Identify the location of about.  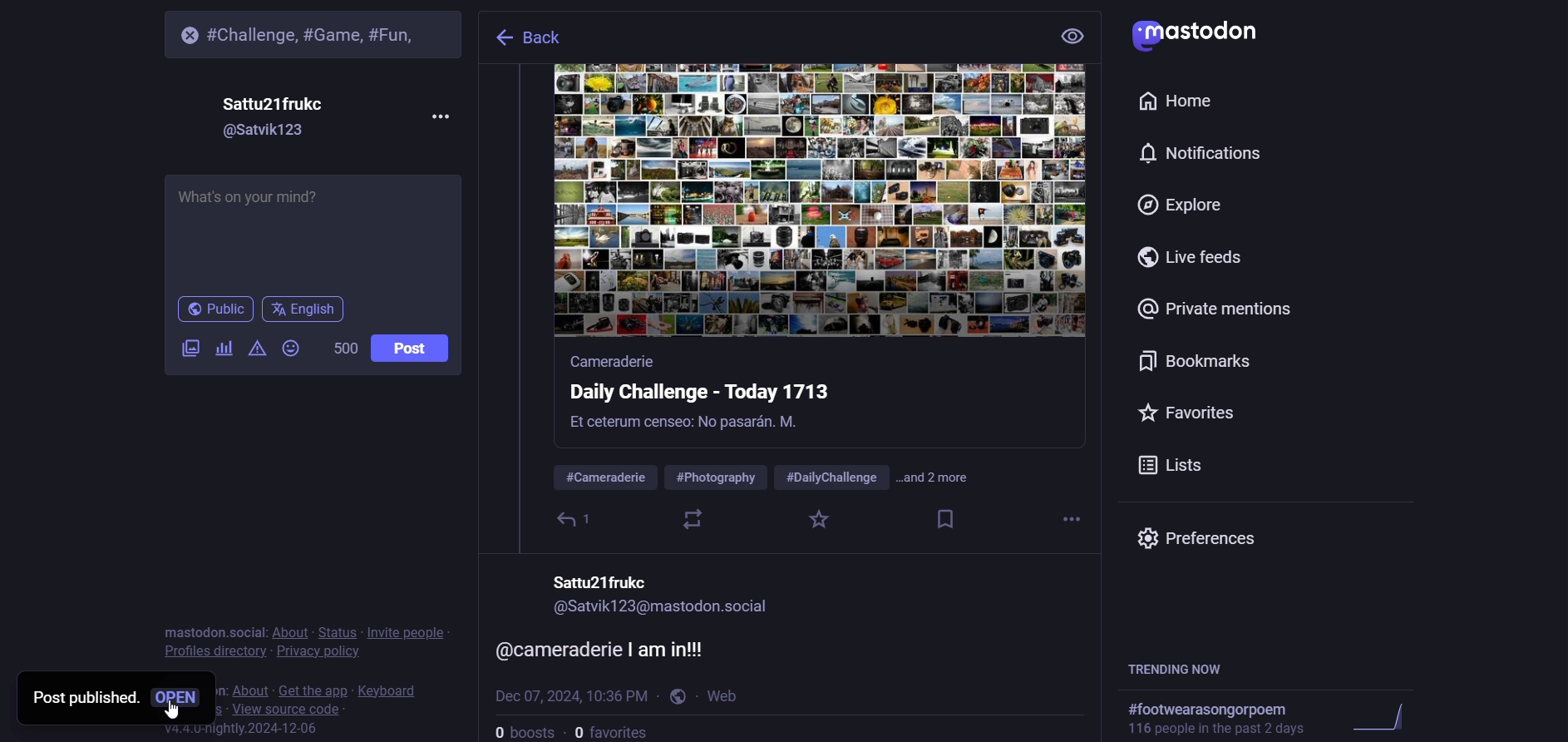
(244, 681).